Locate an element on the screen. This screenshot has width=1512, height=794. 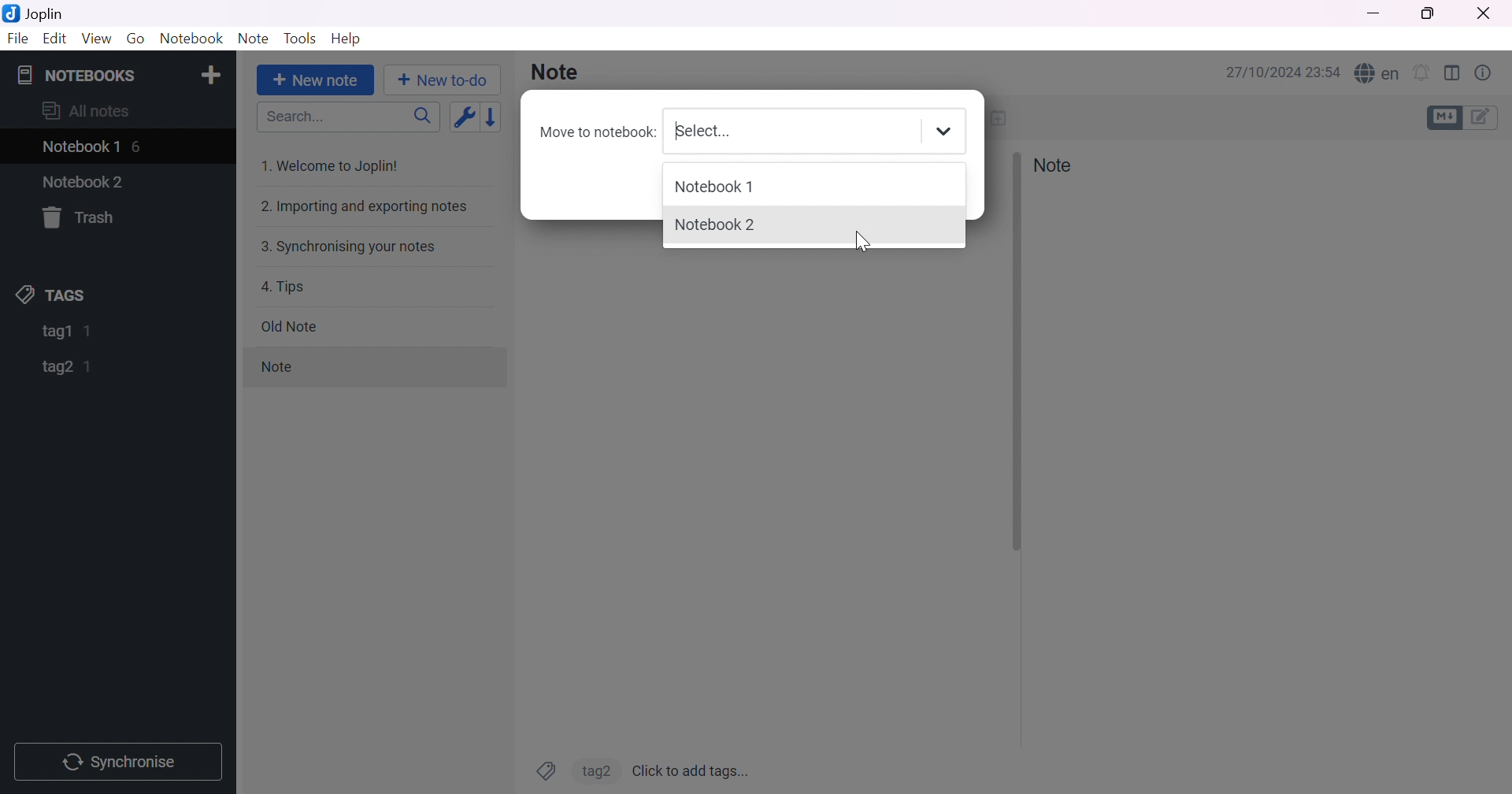
Joplin is located at coordinates (36, 13).